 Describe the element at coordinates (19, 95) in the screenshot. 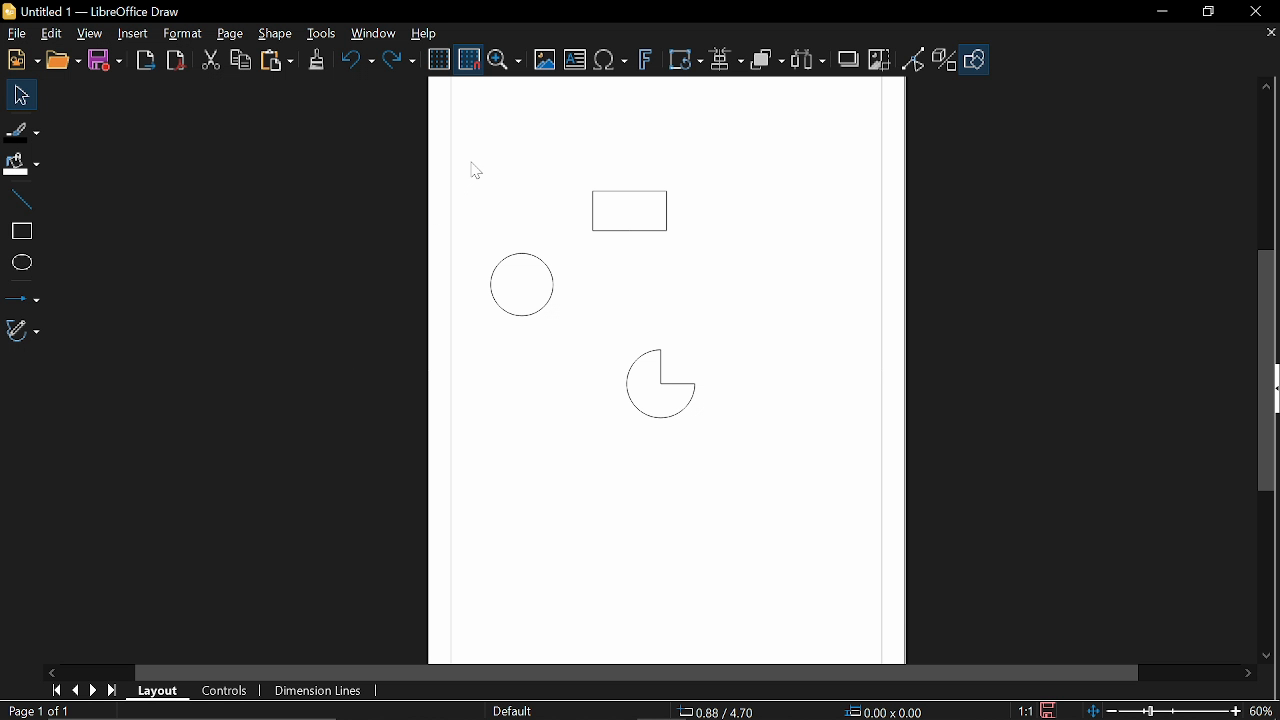

I see `Select` at that location.